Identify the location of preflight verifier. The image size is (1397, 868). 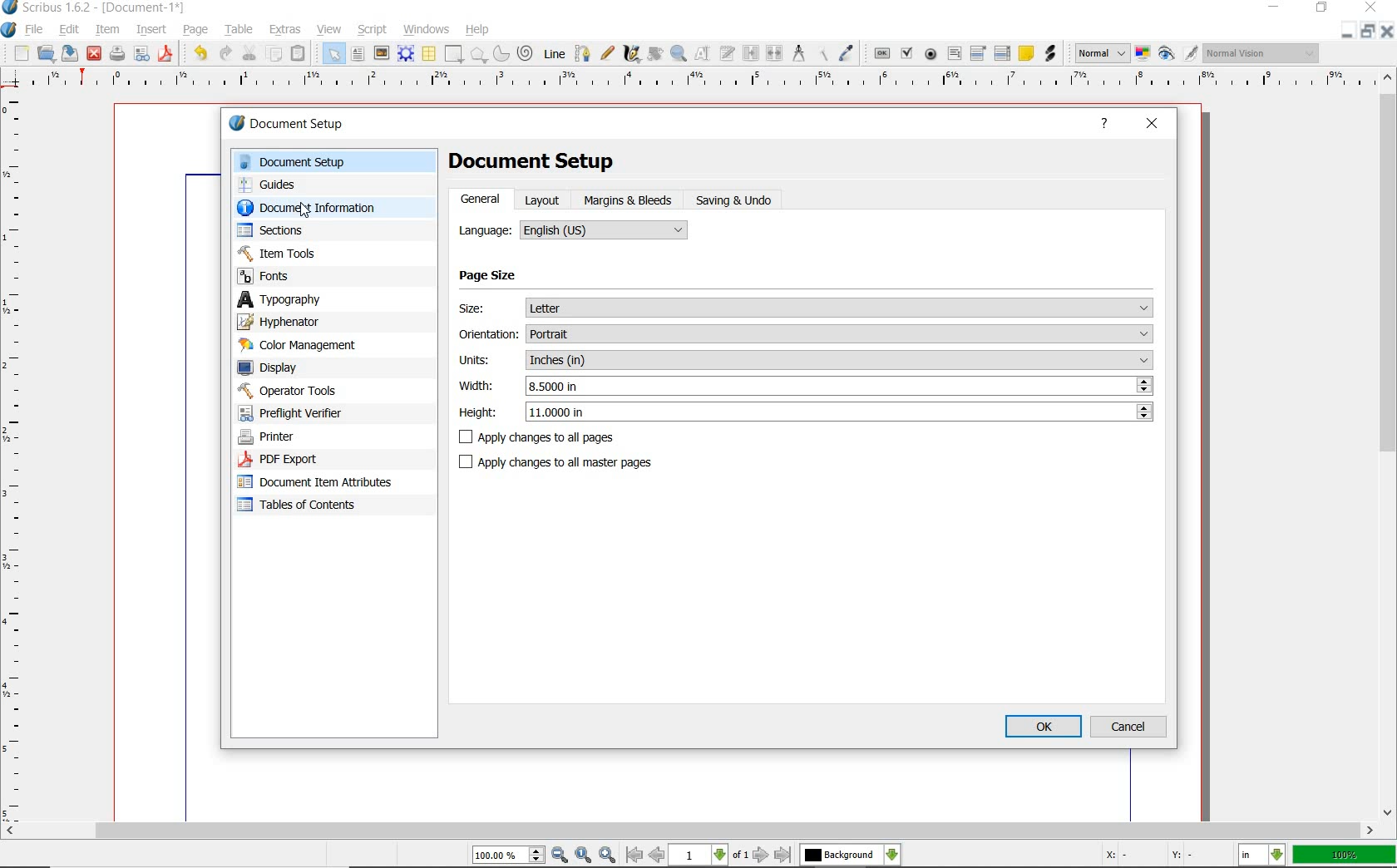
(300, 413).